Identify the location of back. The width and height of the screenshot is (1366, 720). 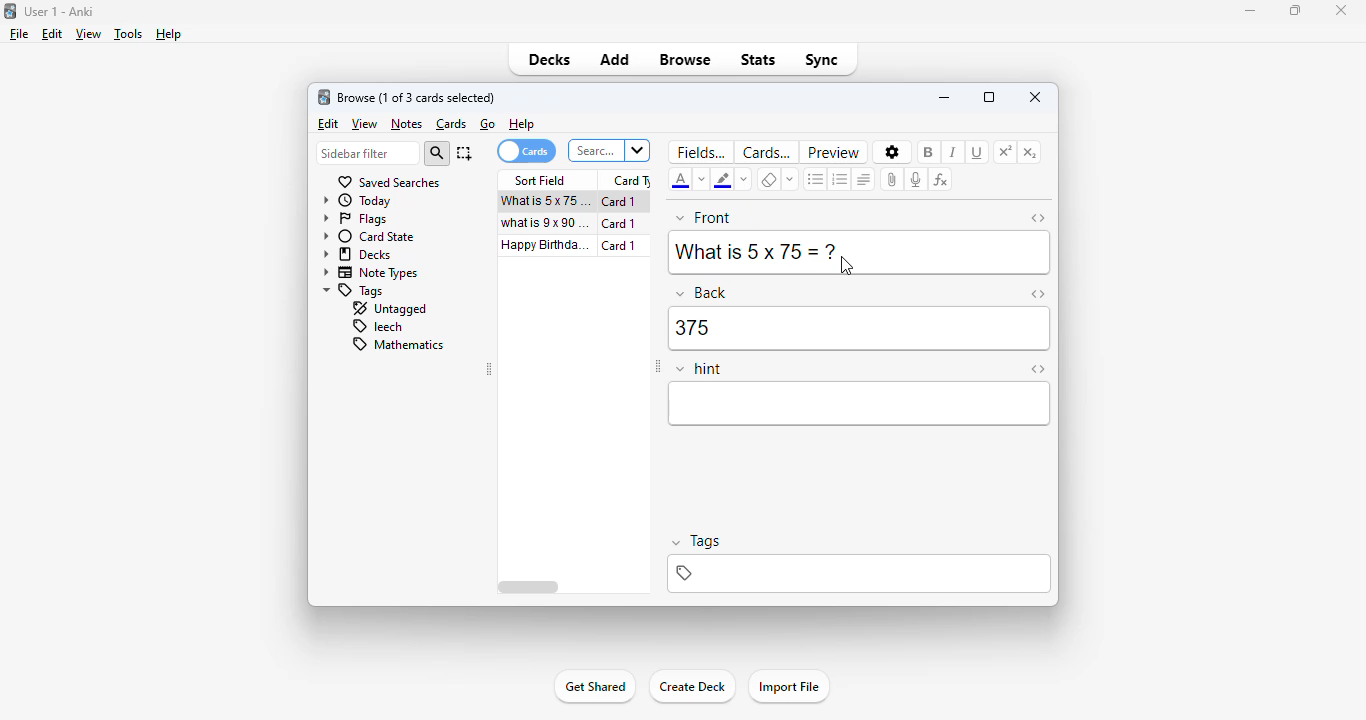
(702, 293).